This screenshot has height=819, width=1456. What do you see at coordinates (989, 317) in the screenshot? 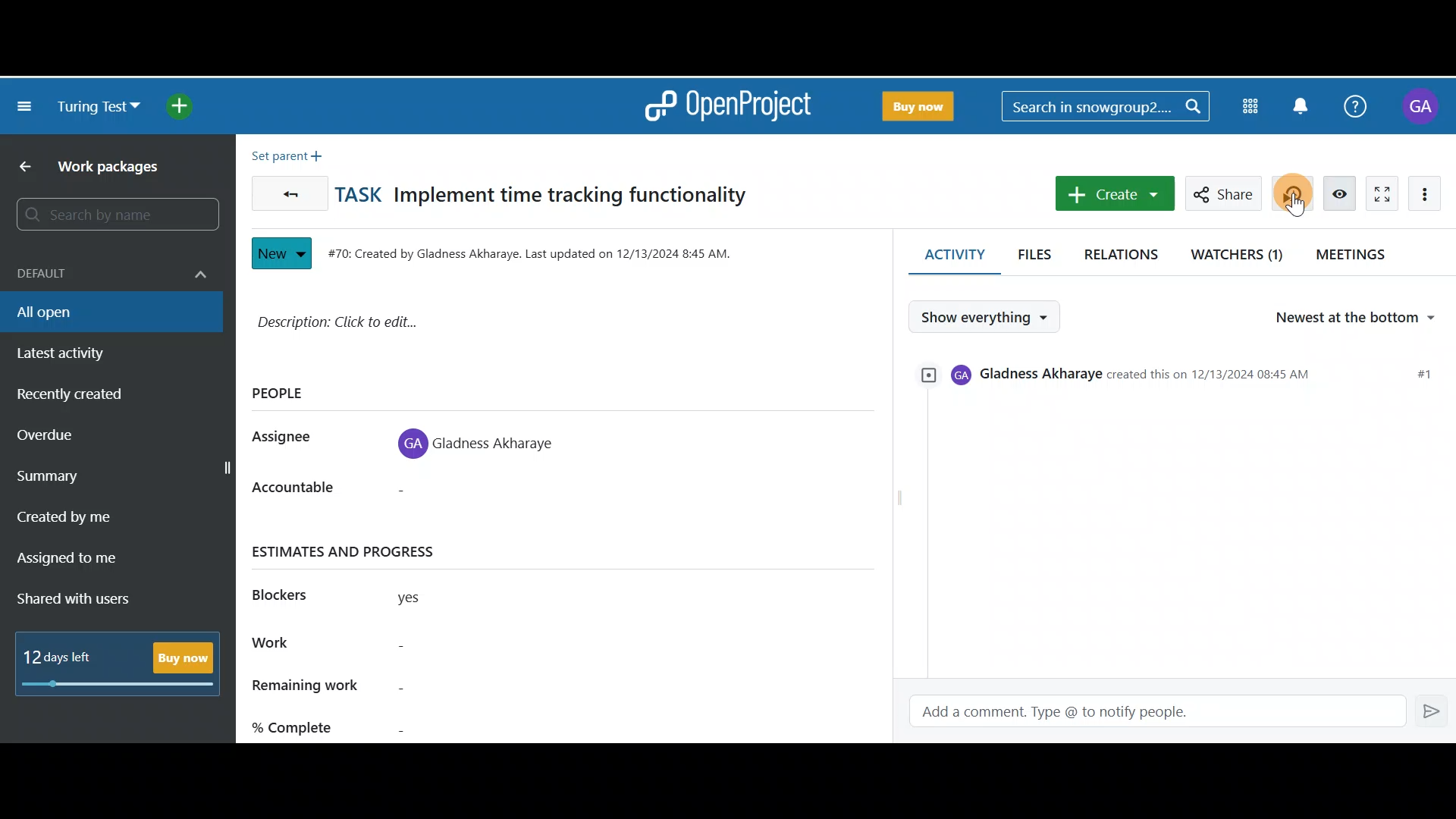
I see `Show everything` at bounding box center [989, 317].